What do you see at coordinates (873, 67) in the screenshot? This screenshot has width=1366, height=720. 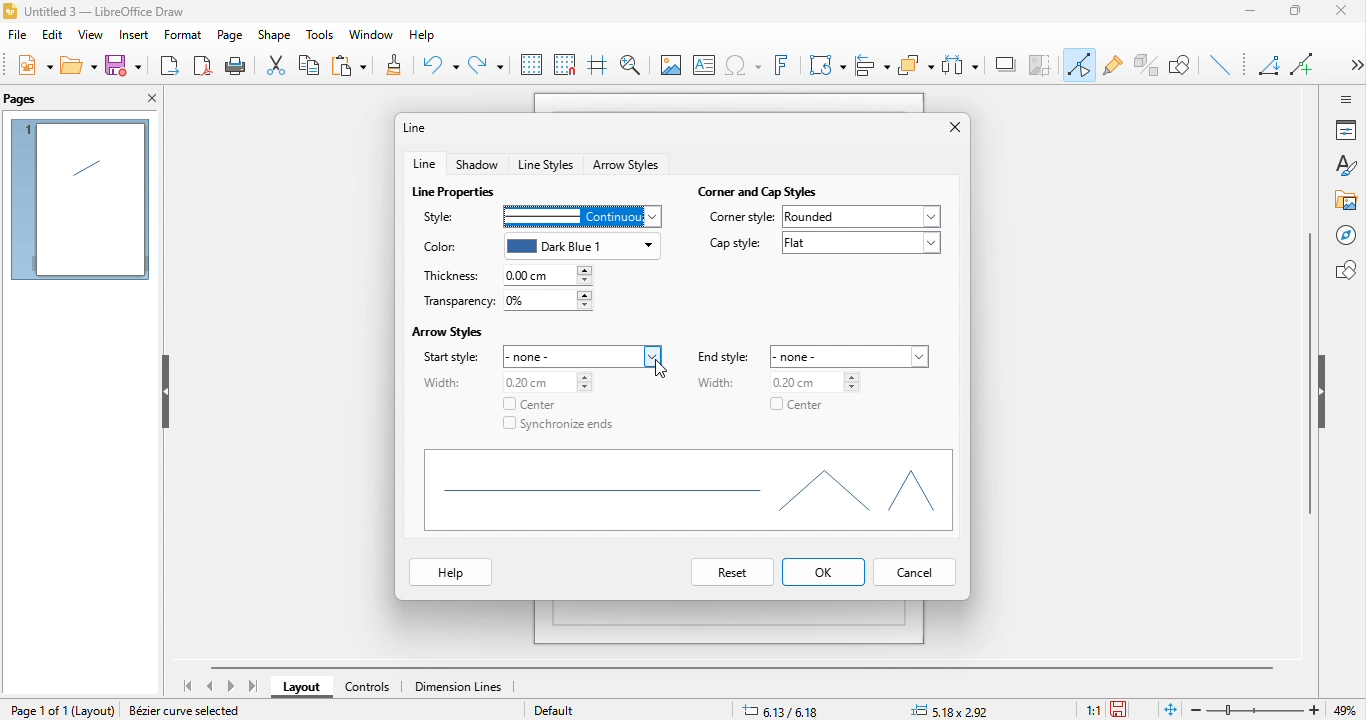 I see `align object` at bounding box center [873, 67].